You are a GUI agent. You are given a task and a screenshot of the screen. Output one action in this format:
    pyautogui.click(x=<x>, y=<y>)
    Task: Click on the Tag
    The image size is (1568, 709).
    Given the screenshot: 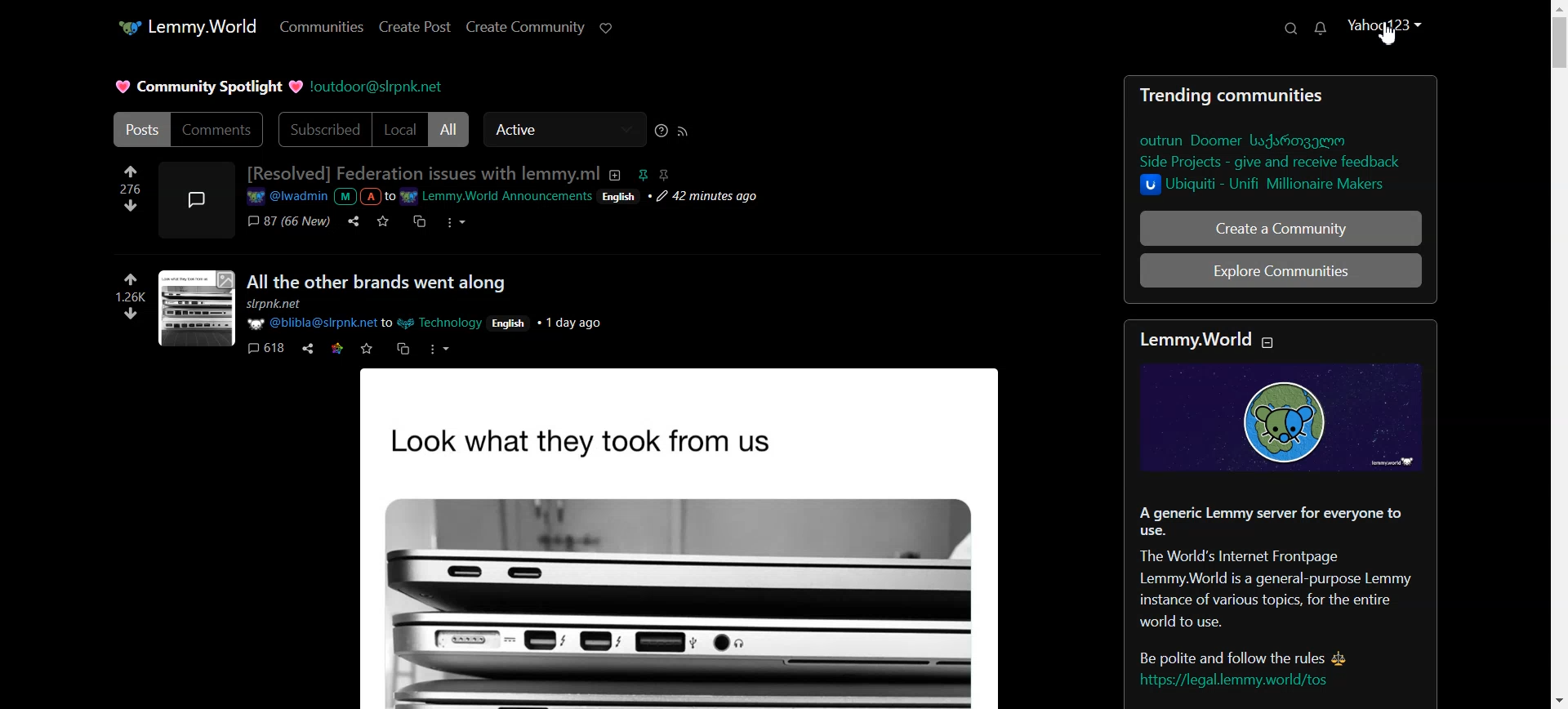 What is the action you would take?
    pyautogui.click(x=654, y=175)
    